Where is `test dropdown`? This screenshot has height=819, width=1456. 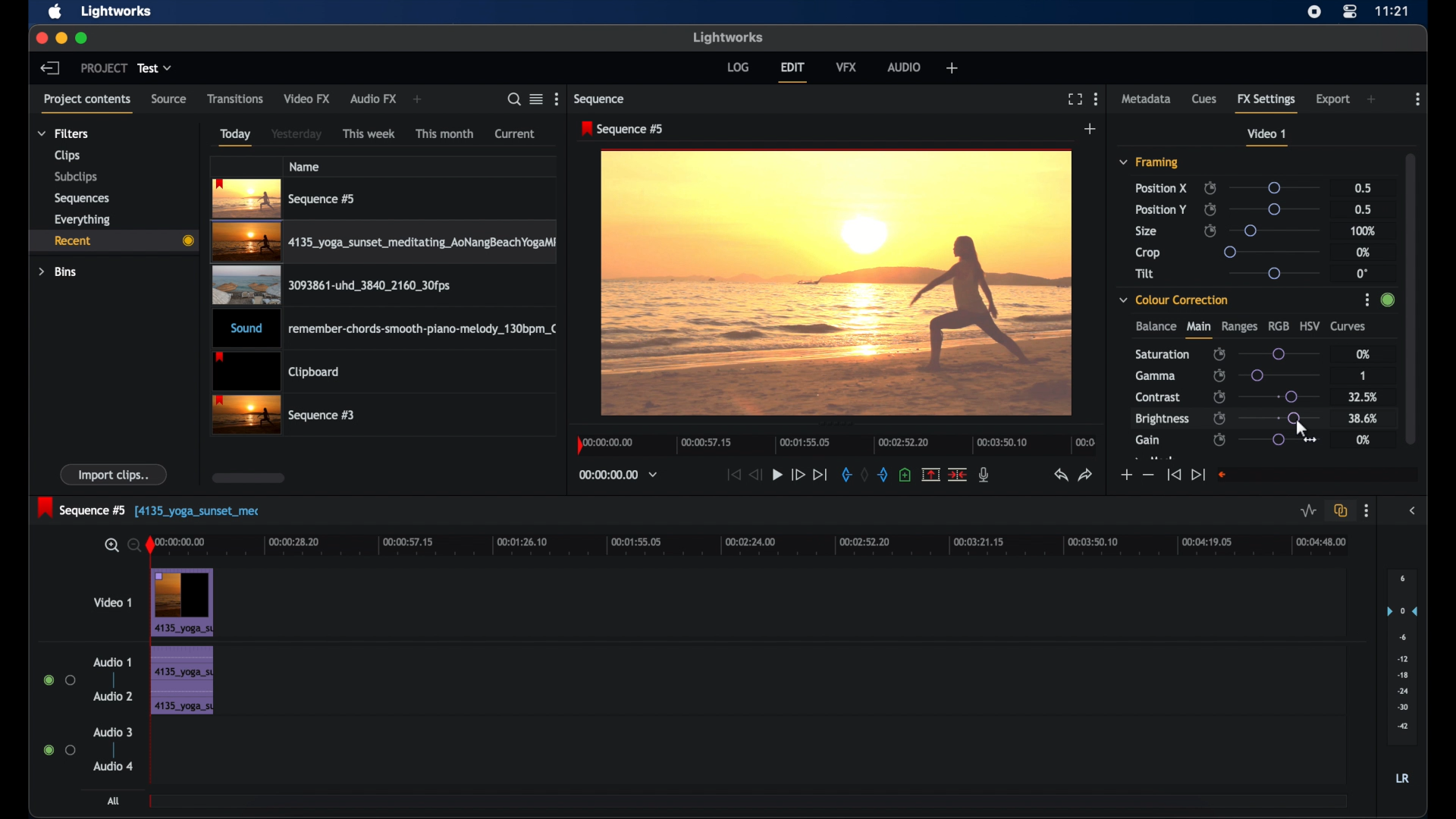
test dropdown is located at coordinates (155, 67).